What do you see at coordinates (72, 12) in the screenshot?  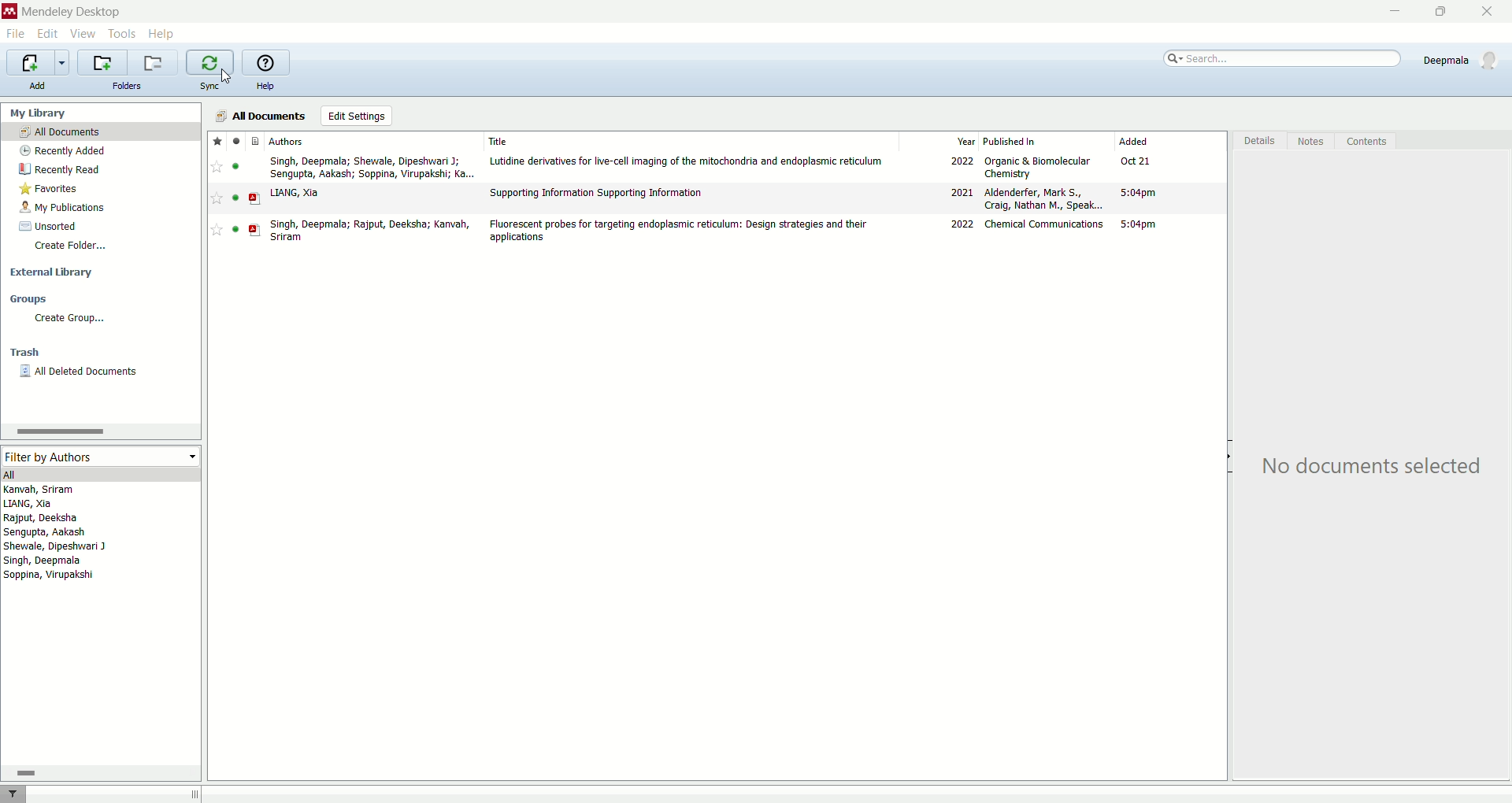 I see `mendeley desktop` at bounding box center [72, 12].